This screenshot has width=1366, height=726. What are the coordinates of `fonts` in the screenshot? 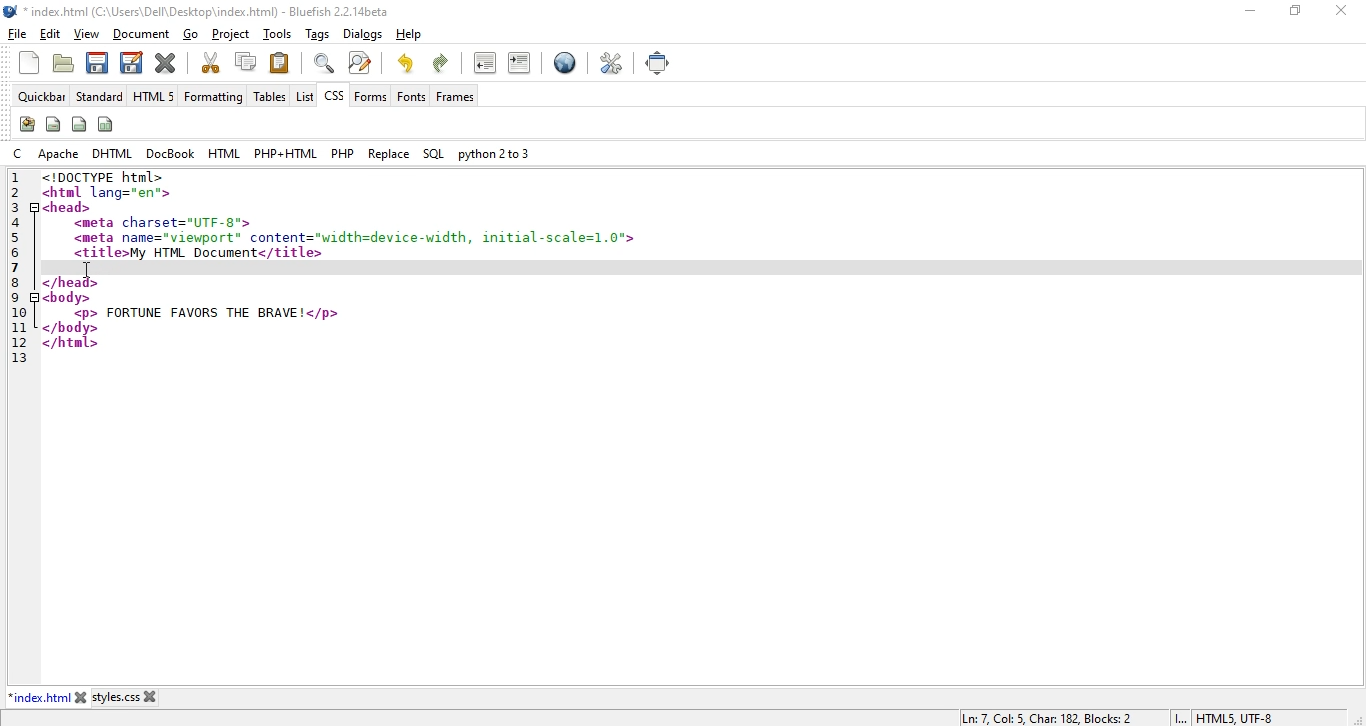 It's located at (411, 96).